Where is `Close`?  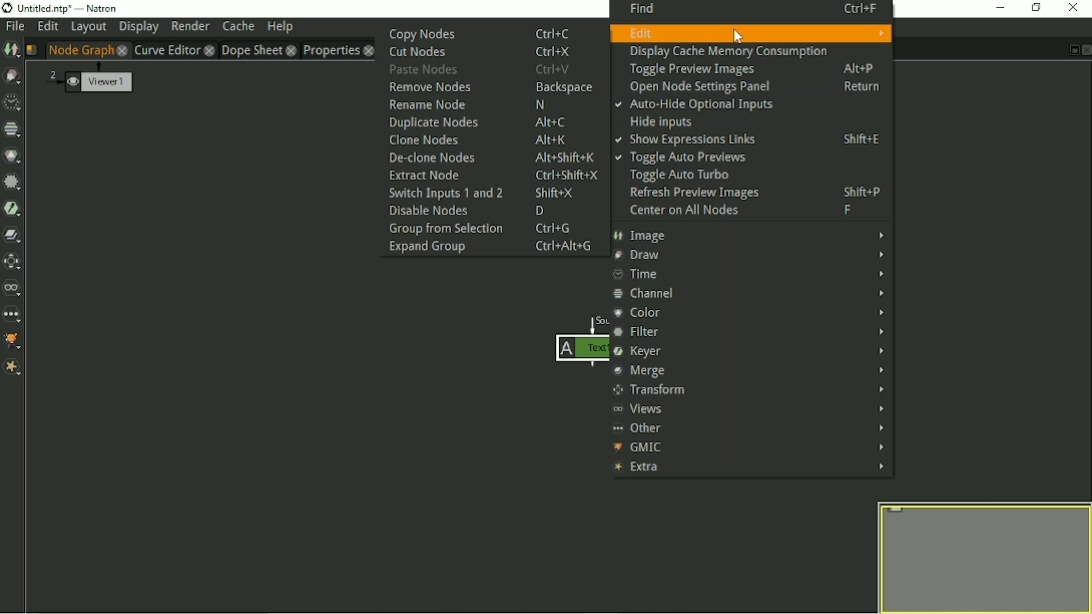
Close is located at coordinates (1085, 50).